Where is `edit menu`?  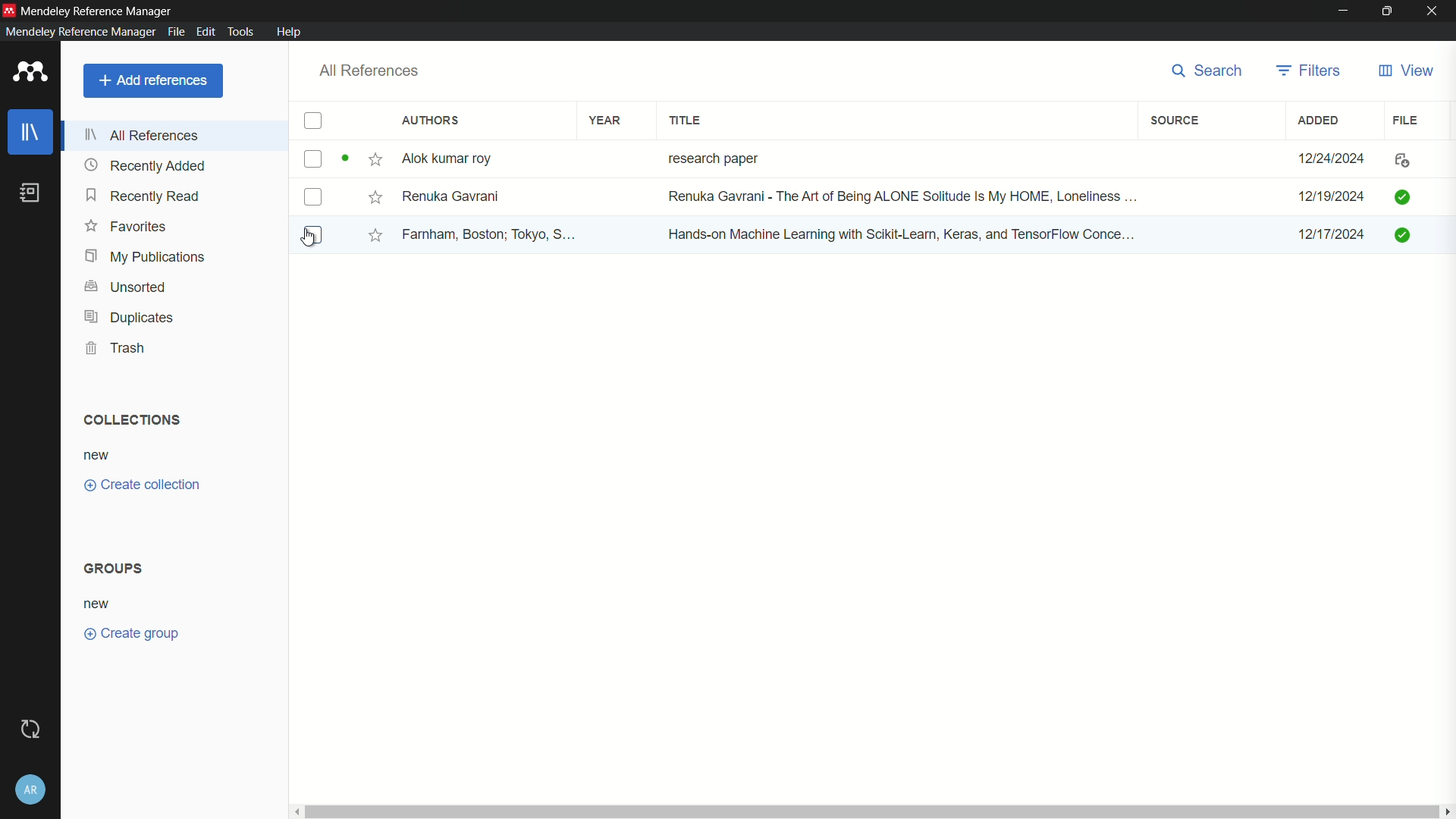
edit menu is located at coordinates (206, 32).